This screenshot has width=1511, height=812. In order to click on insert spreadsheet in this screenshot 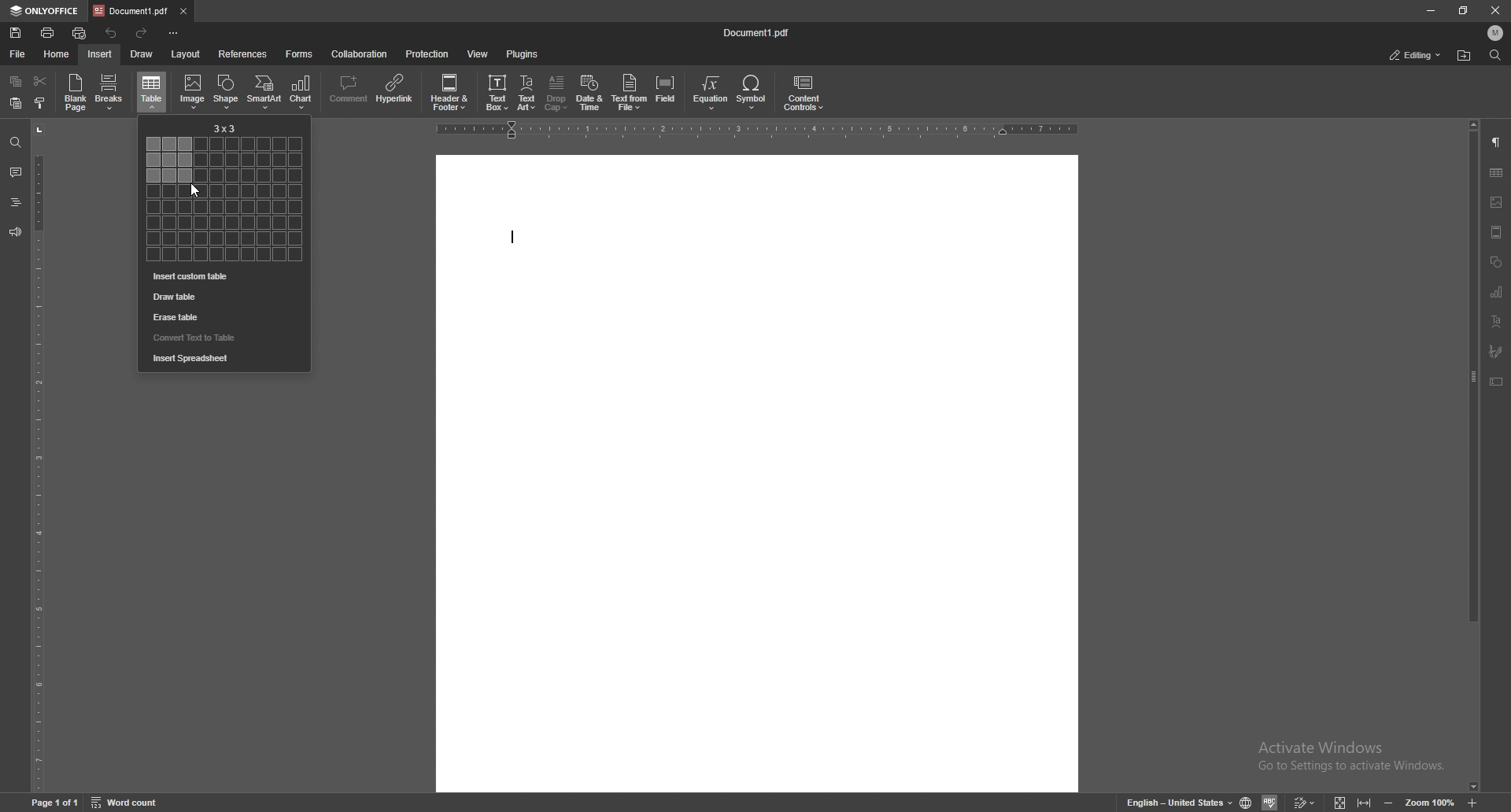, I will do `click(224, 359)`.